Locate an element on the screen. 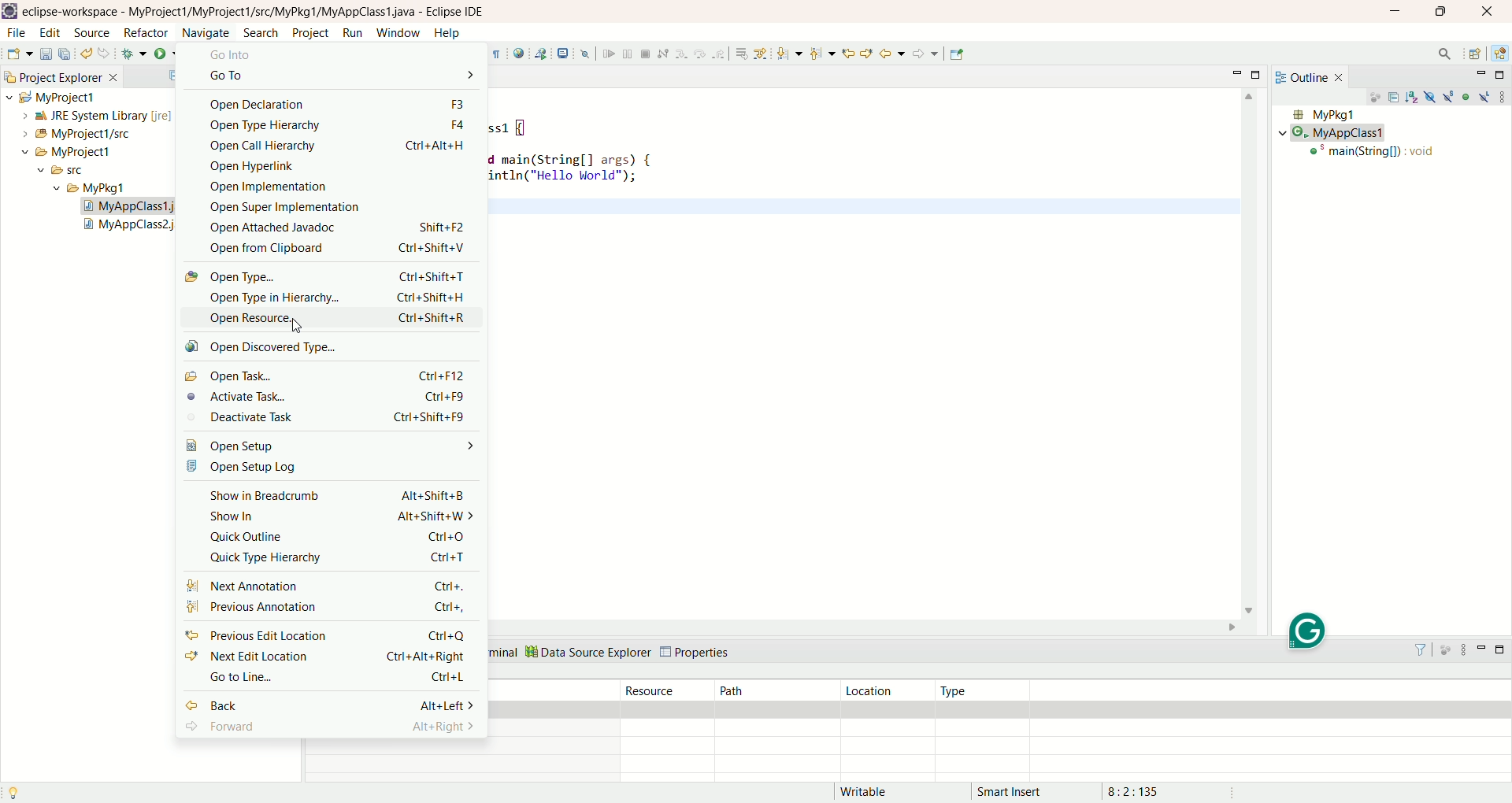  back is located at coordinates (892, 53).